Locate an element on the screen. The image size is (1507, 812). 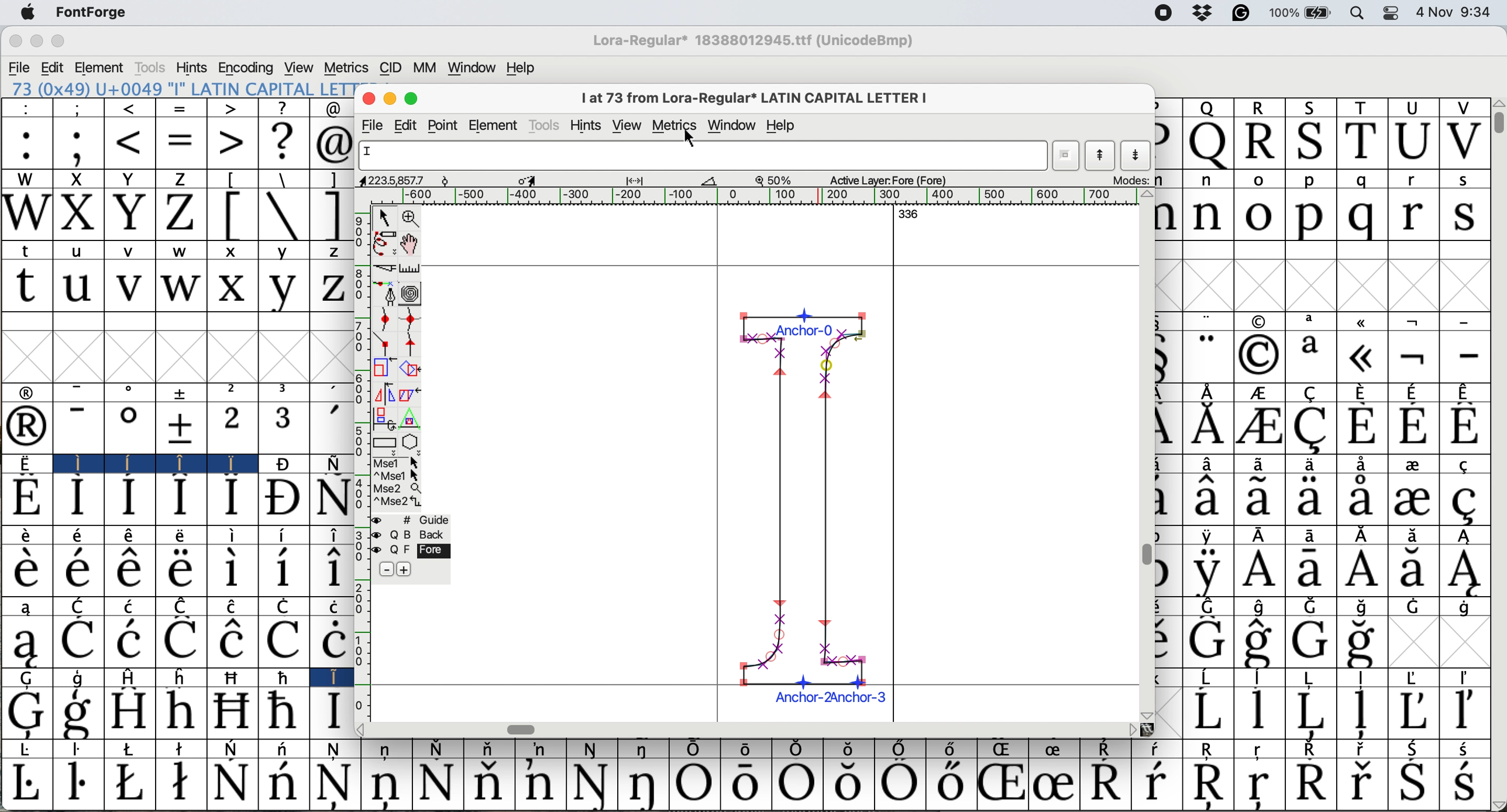
< is located at coordinates (130, 144).